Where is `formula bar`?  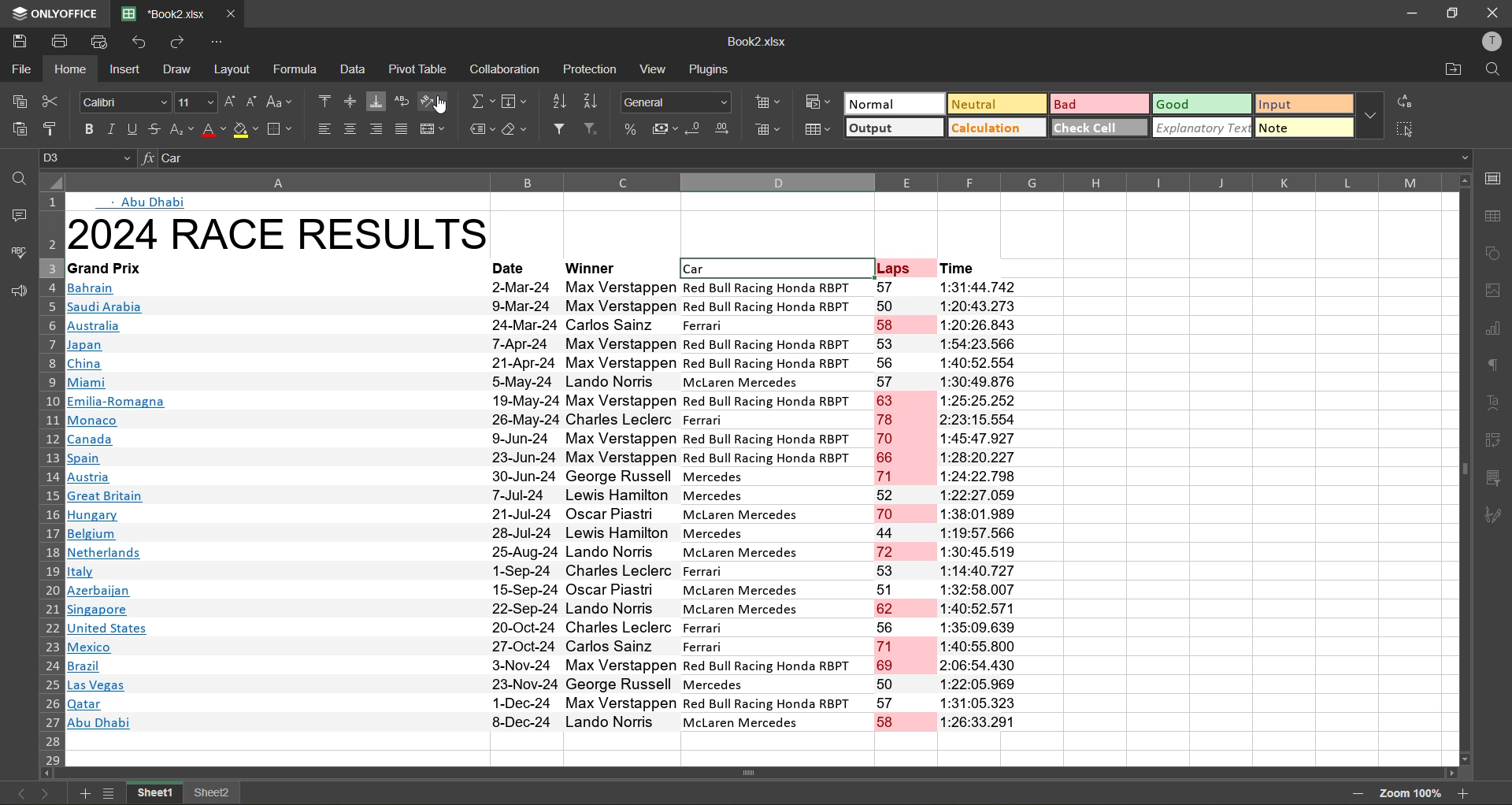
formula bar is located at coordinates (806, 158).